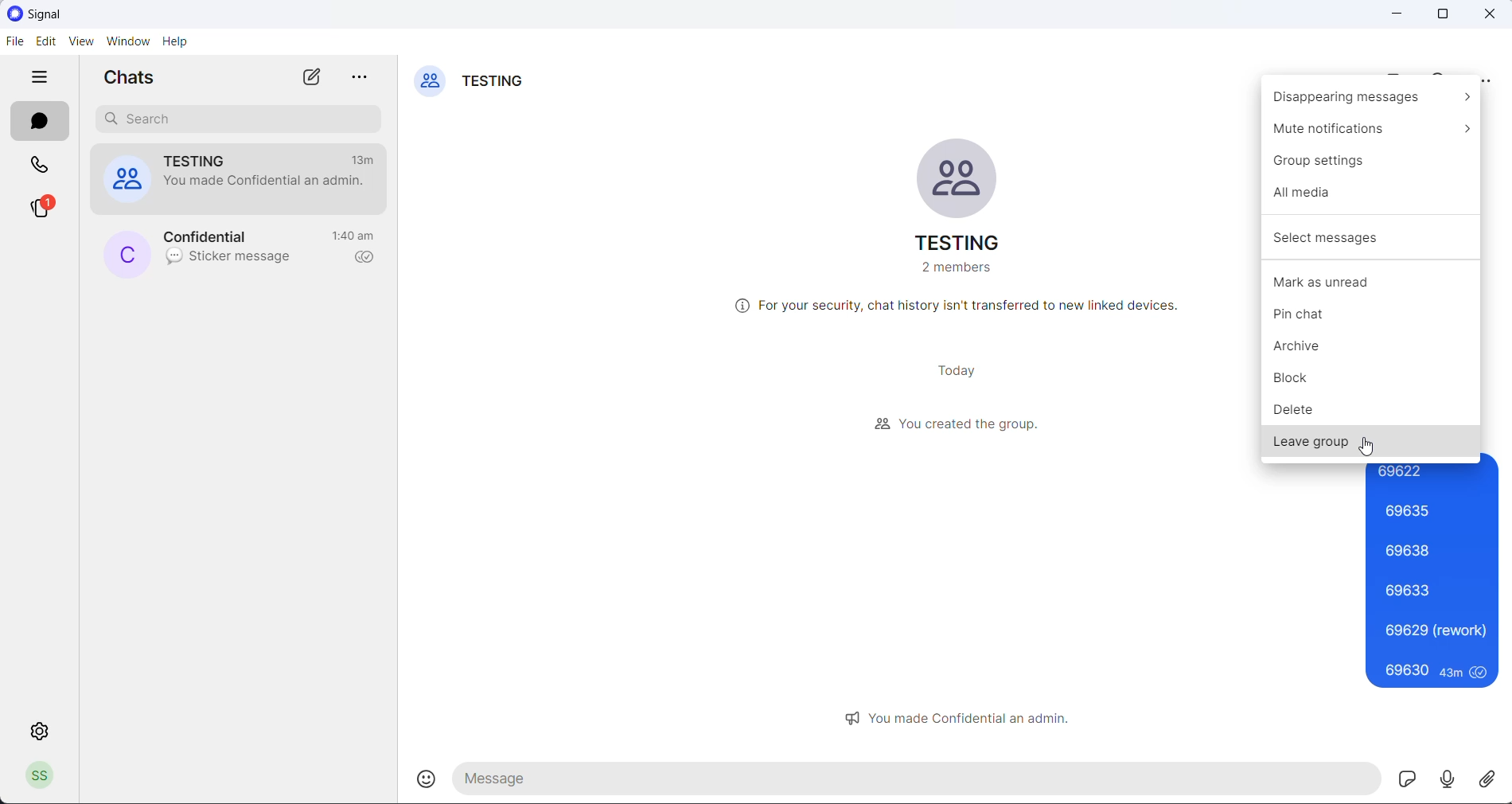  Describe the element at coordinates (955, 244) in the screenshot. I see `group name` at that location.